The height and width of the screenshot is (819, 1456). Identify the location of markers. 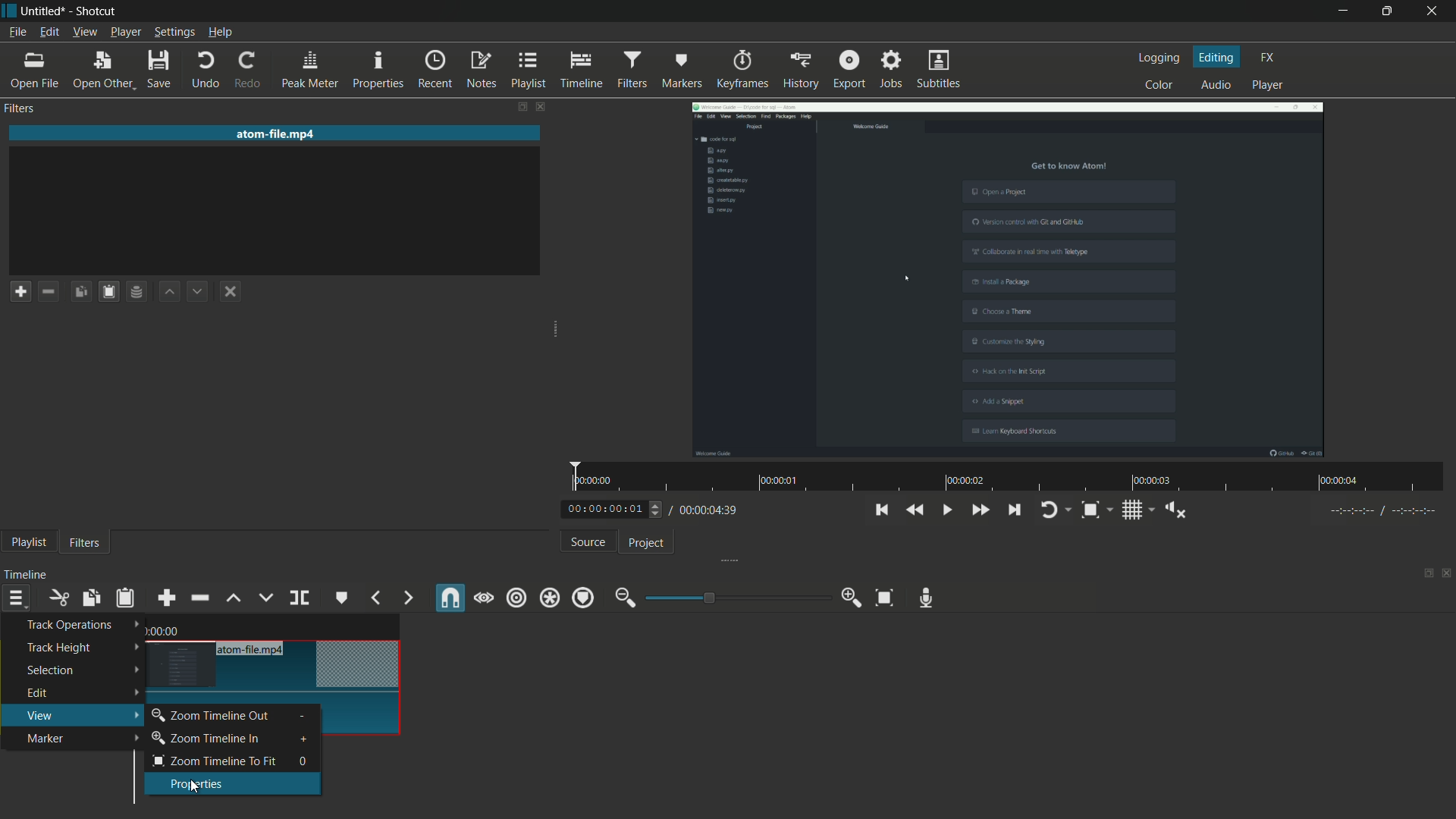
(683, 69).